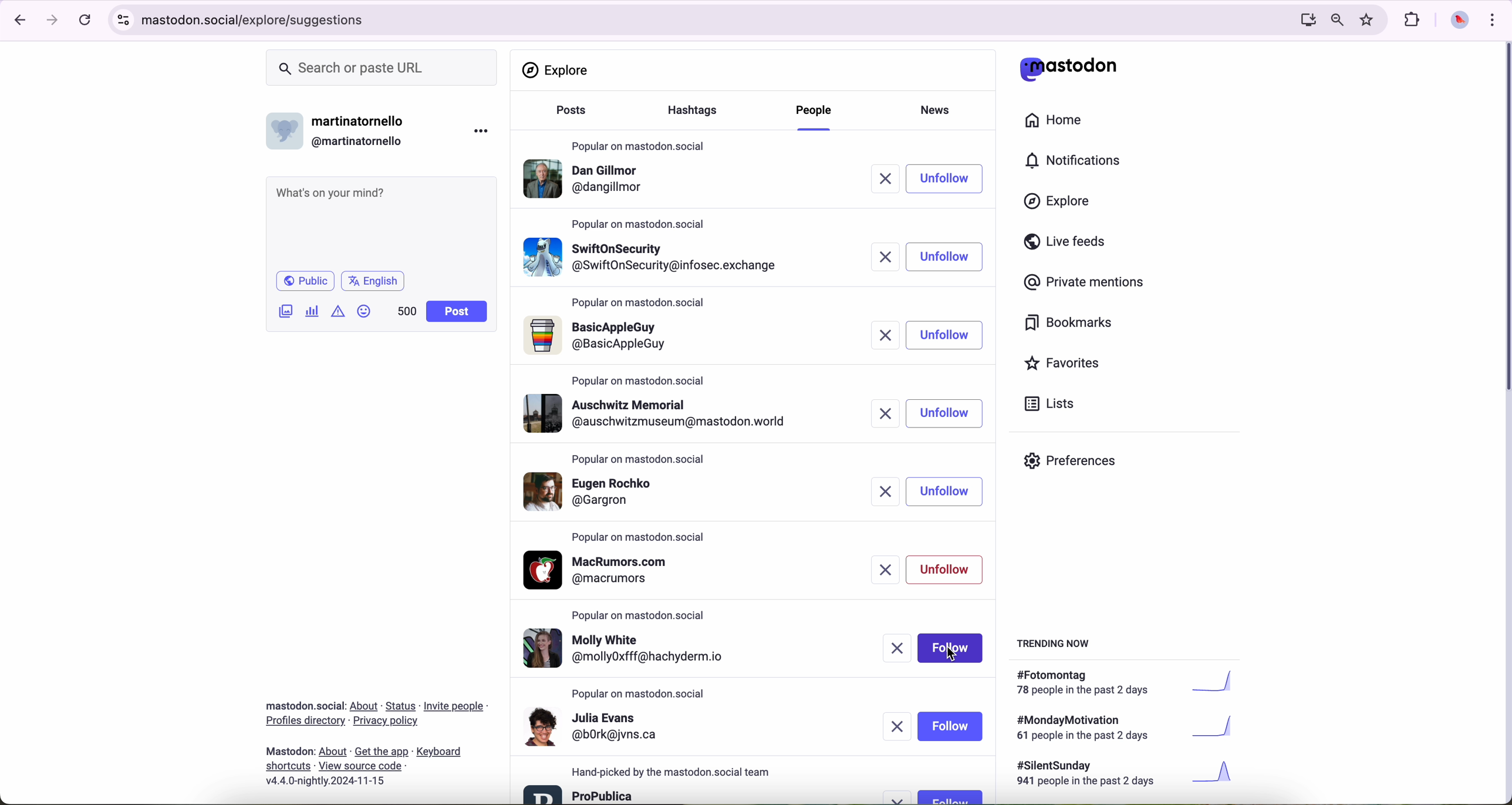  What do you see at coordinates (457, 312) in the screenshot?
I see `post button` at bounding box center [457, 312].